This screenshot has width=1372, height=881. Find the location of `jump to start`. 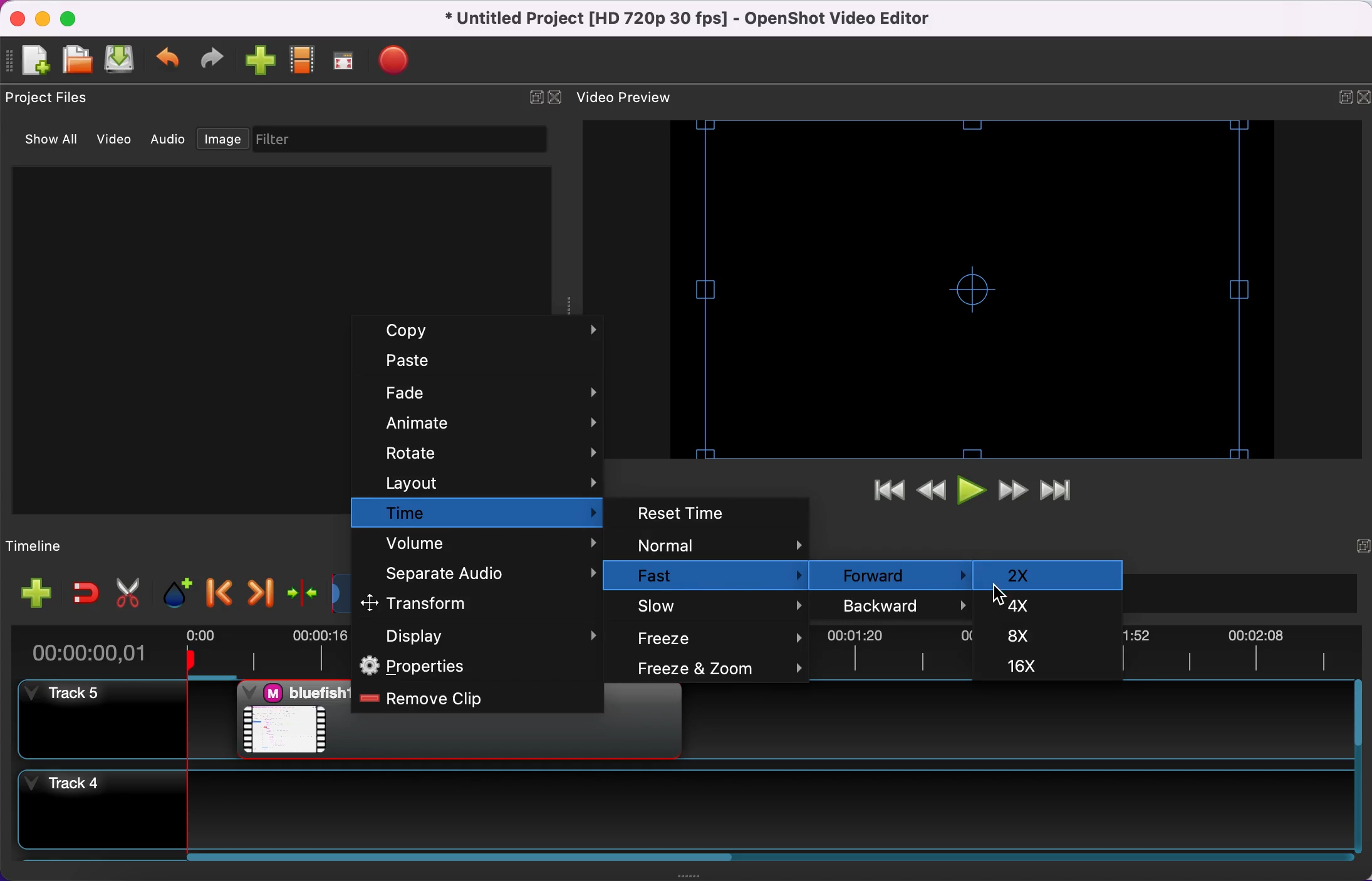

jump to start is located at coordinates (885, 493).